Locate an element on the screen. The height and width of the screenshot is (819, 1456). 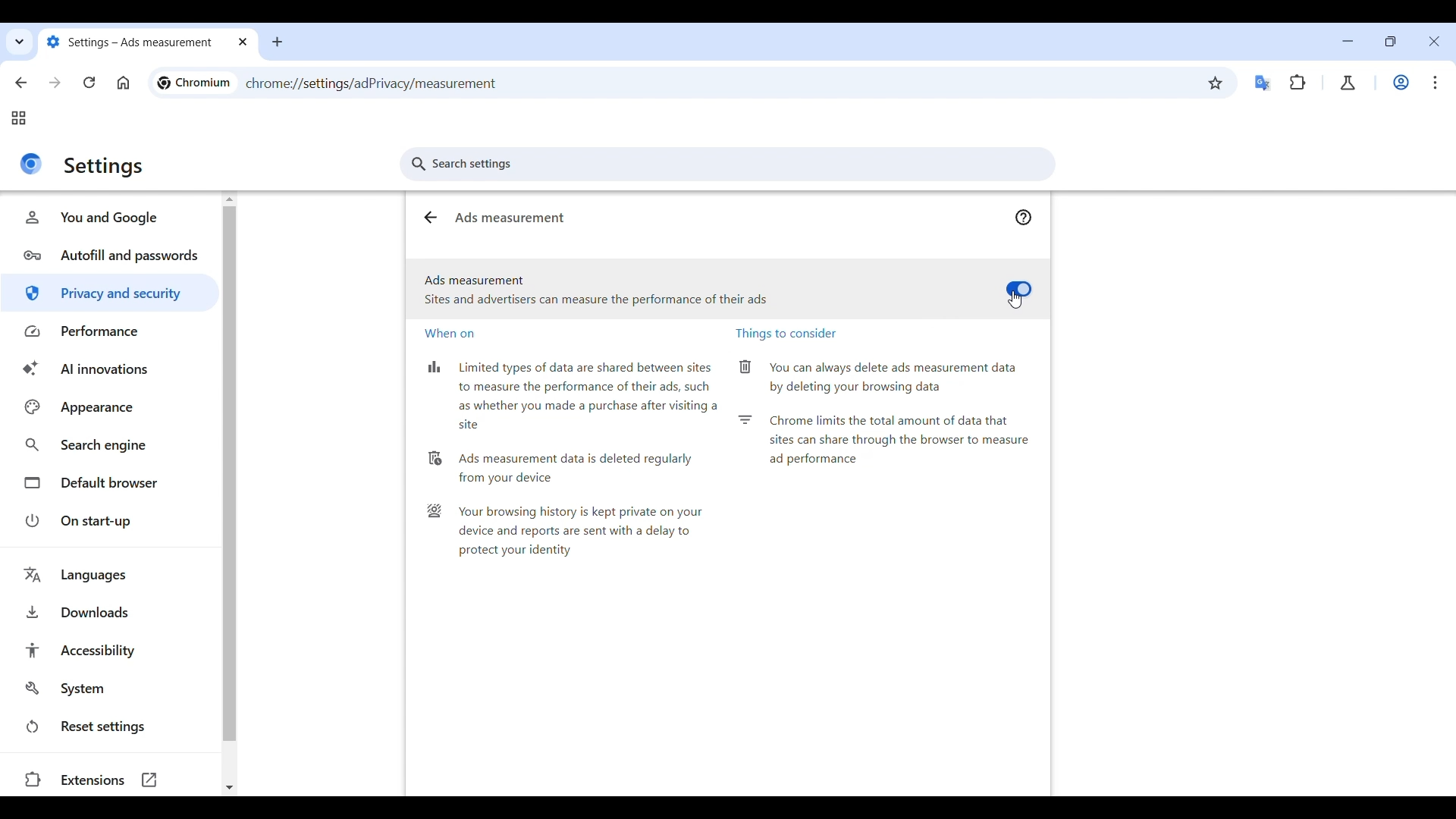
Tab name changed is located at coordinates (147, 43).